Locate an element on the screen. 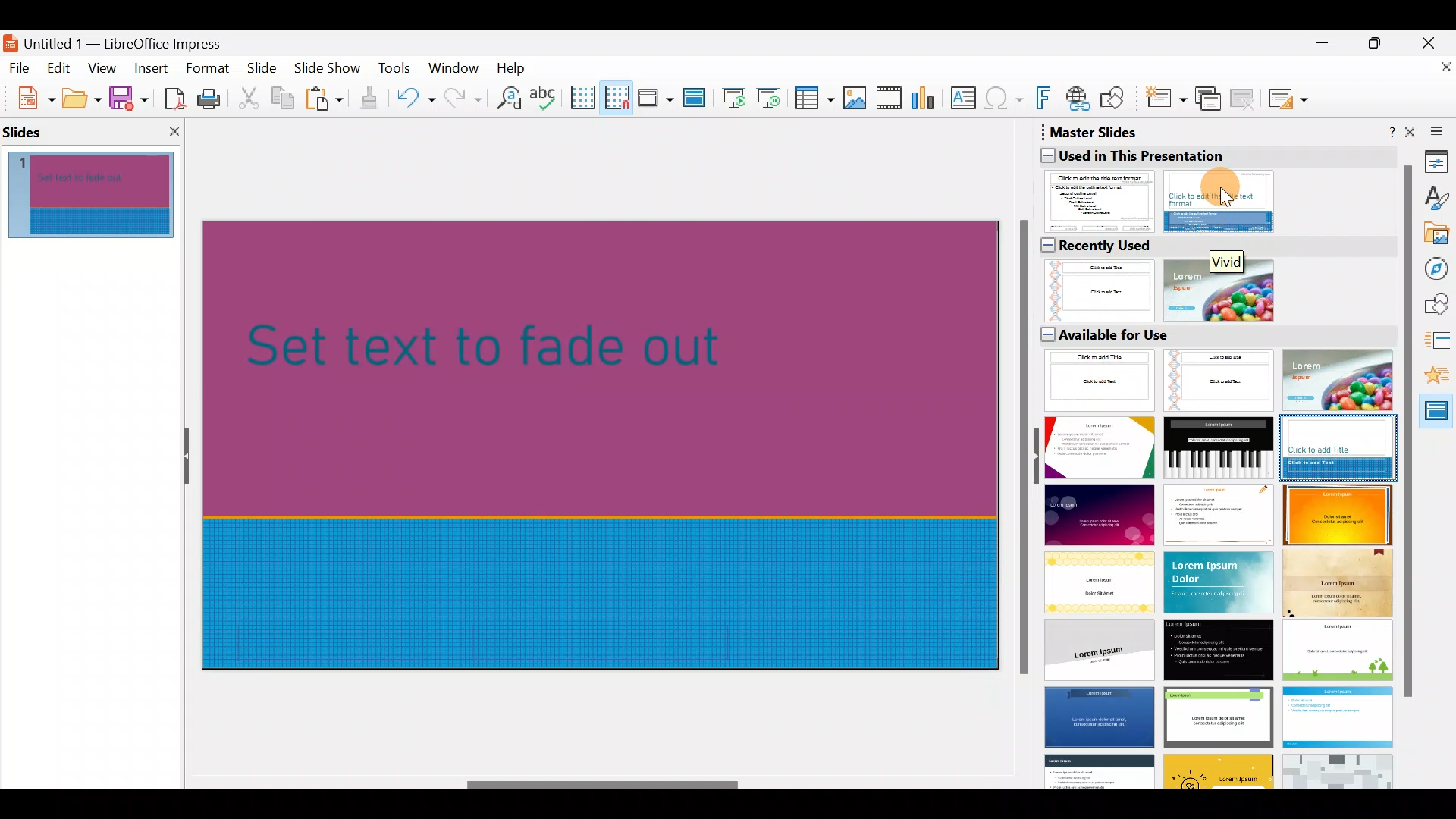 The width and height of the screenshot is (1456, 819). Slide pane is located at coordinates (100, 199).